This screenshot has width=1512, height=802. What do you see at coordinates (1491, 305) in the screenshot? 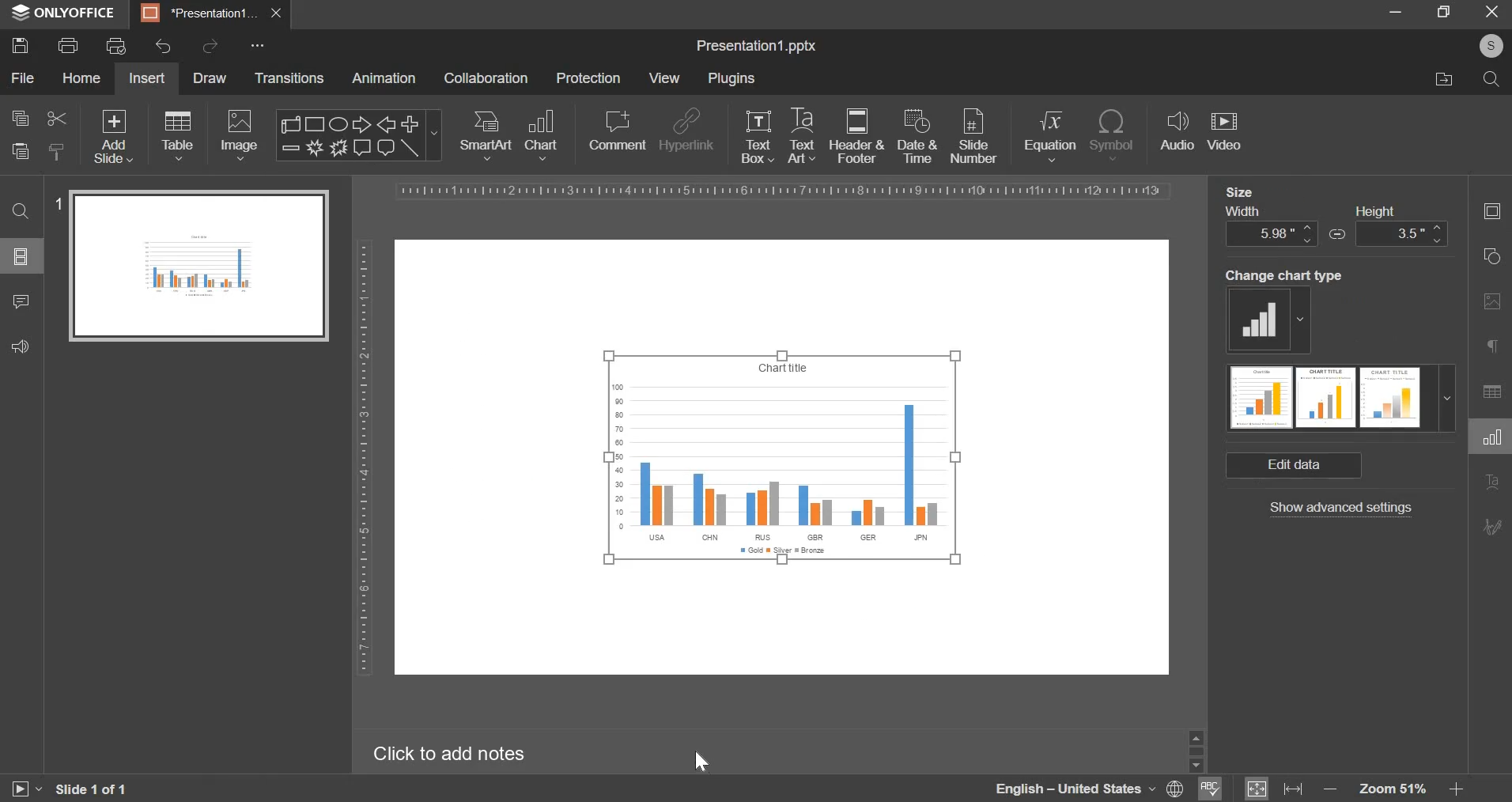
I see `image settings` at bounding box center [1491, 305].